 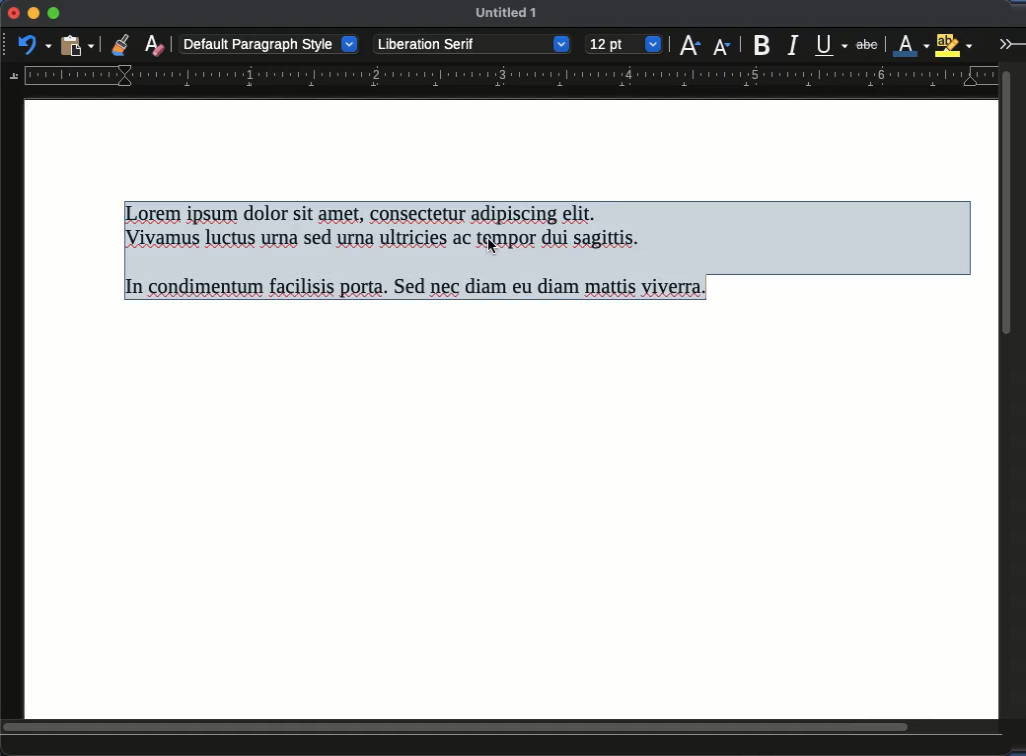 What do you see at coordinates (954, 43) in the screenshot?
I see `highlight color` at bounding box center [954, 43].